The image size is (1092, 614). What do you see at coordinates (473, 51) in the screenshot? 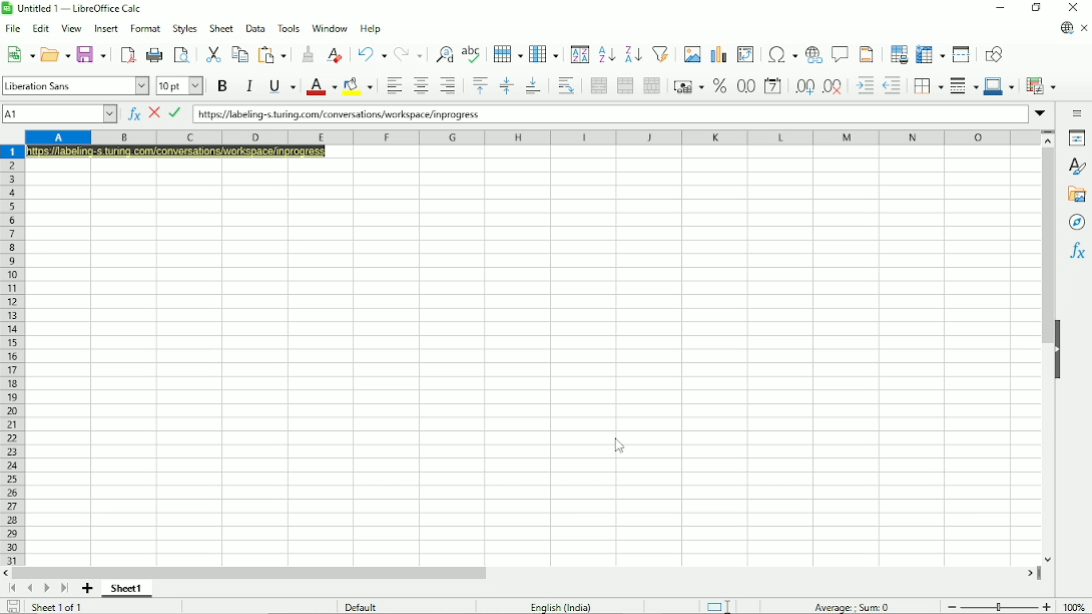
I see `Spell check` at bounding box center [473, 51].